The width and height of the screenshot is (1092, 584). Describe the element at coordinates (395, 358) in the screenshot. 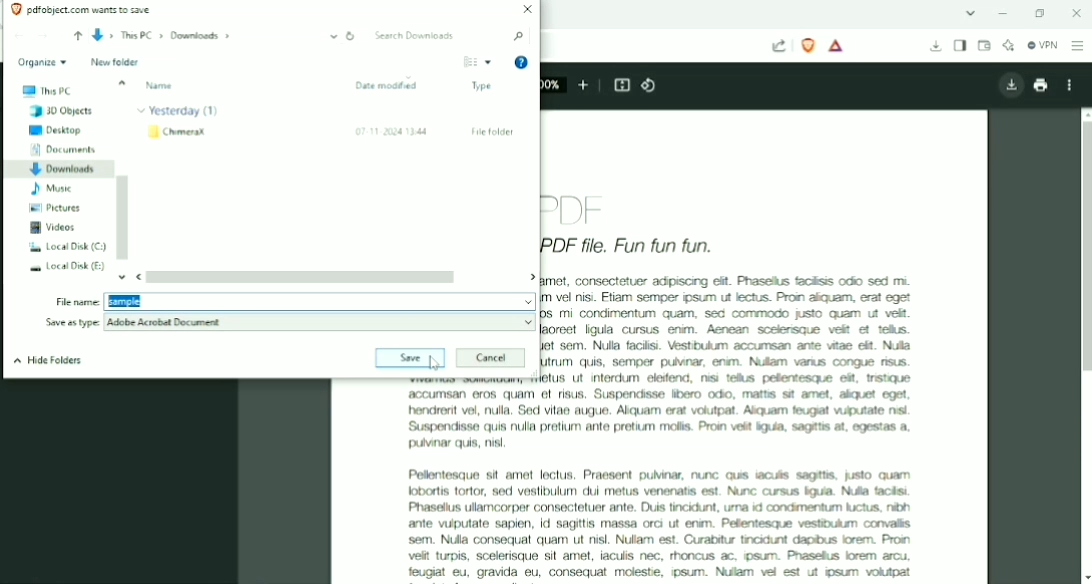

I see `Save` at that location.